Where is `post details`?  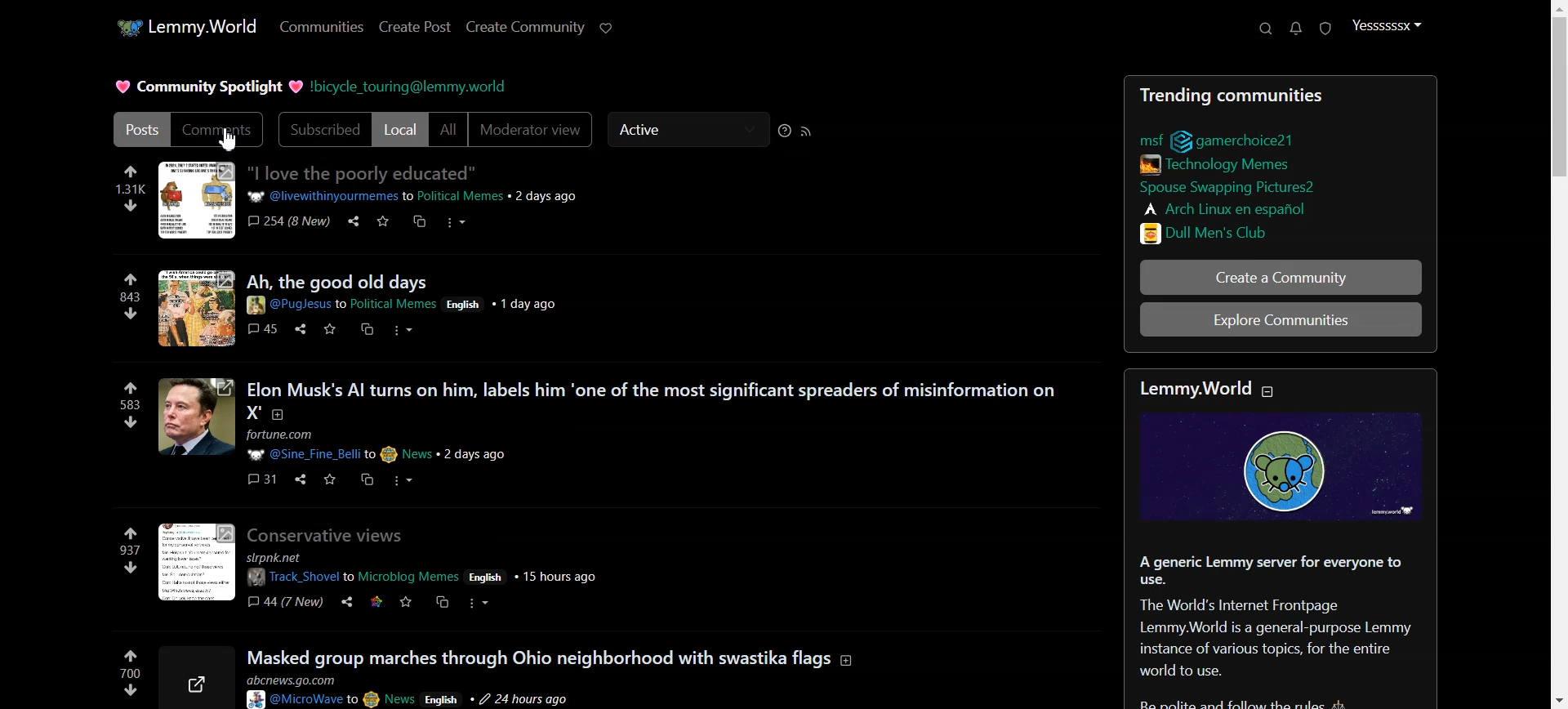 post details is located at coordinates (421, 689).